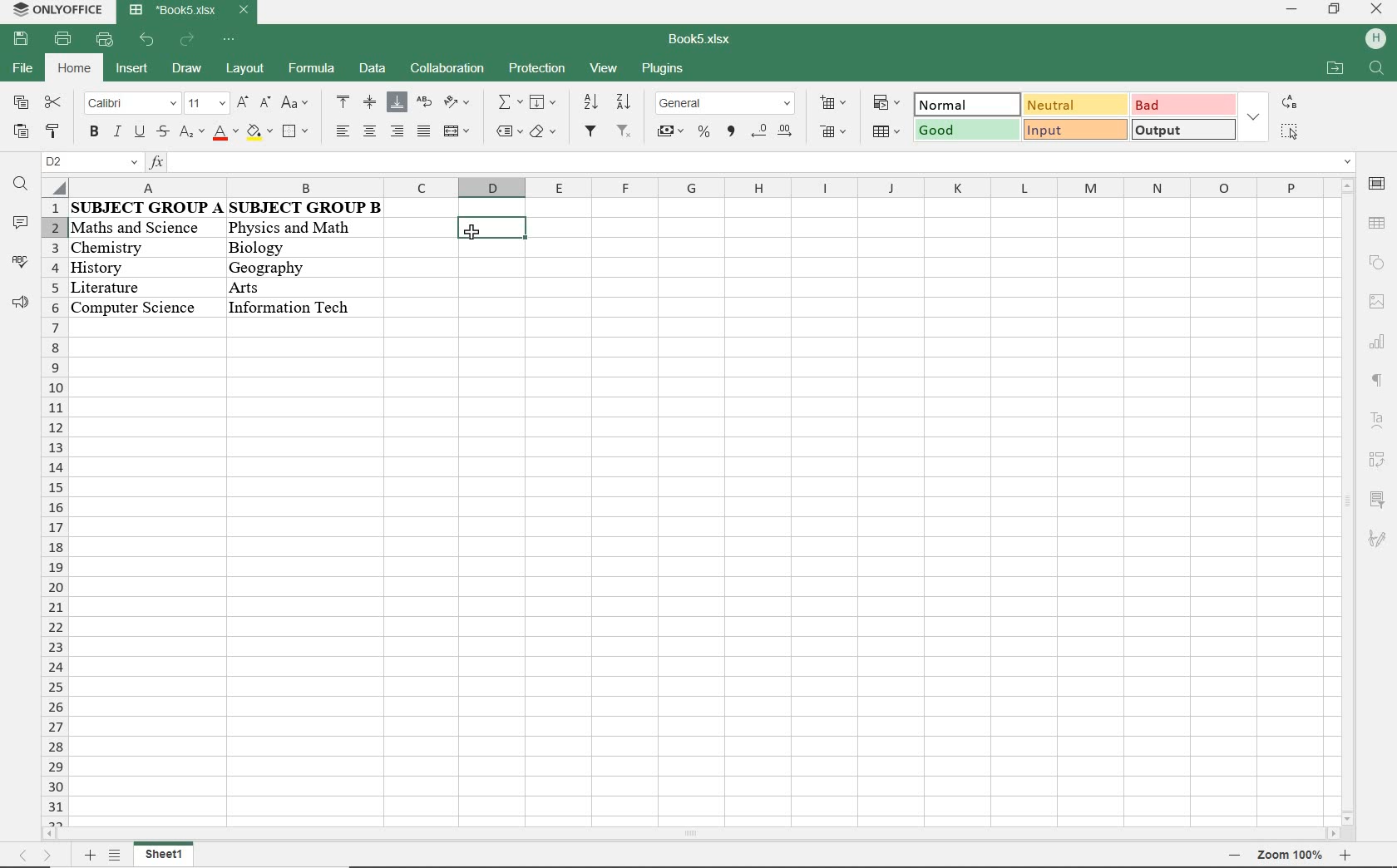 The image size is (1397, 868). What do you see at coordinates (52, 837) in the screenshot?
I see `scroll left` at bounding box center [52, 837].